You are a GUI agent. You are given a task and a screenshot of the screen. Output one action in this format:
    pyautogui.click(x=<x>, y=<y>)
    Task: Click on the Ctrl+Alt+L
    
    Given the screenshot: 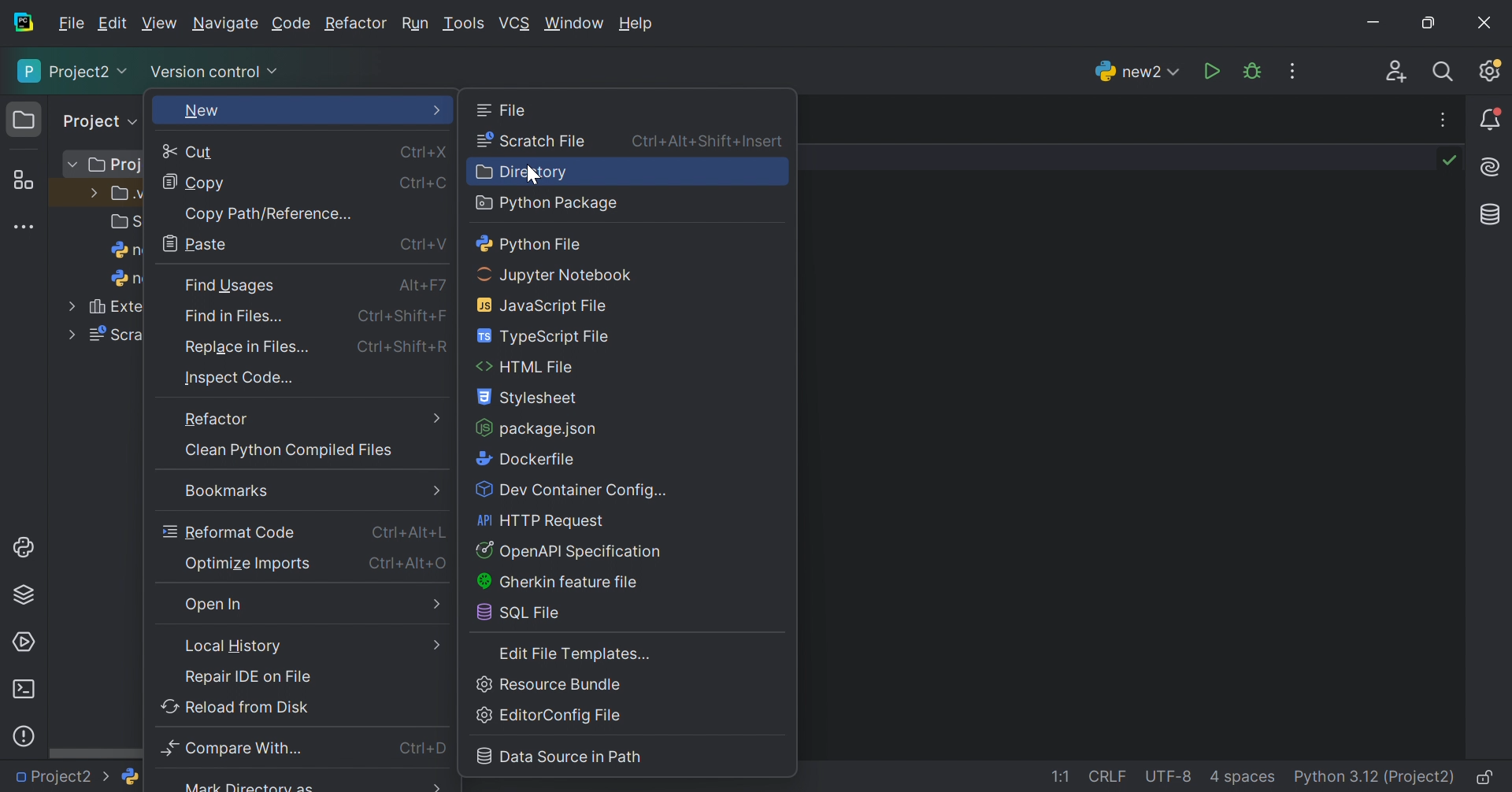 What is the action you would take?
    pyautogui.click(x=409, y=534)
    